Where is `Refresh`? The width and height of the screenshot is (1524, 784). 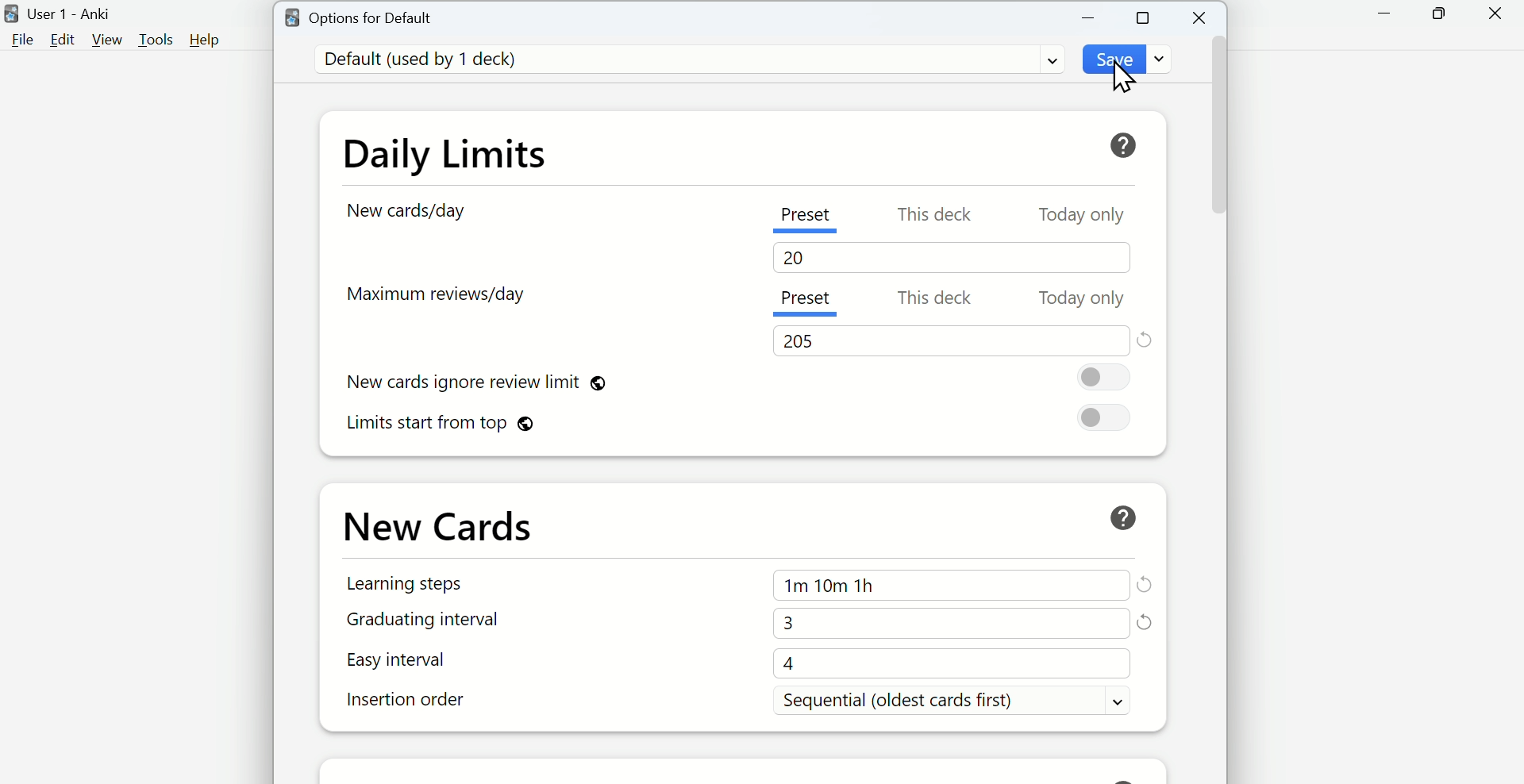 Refresh is located at coordinates (1135, 621).